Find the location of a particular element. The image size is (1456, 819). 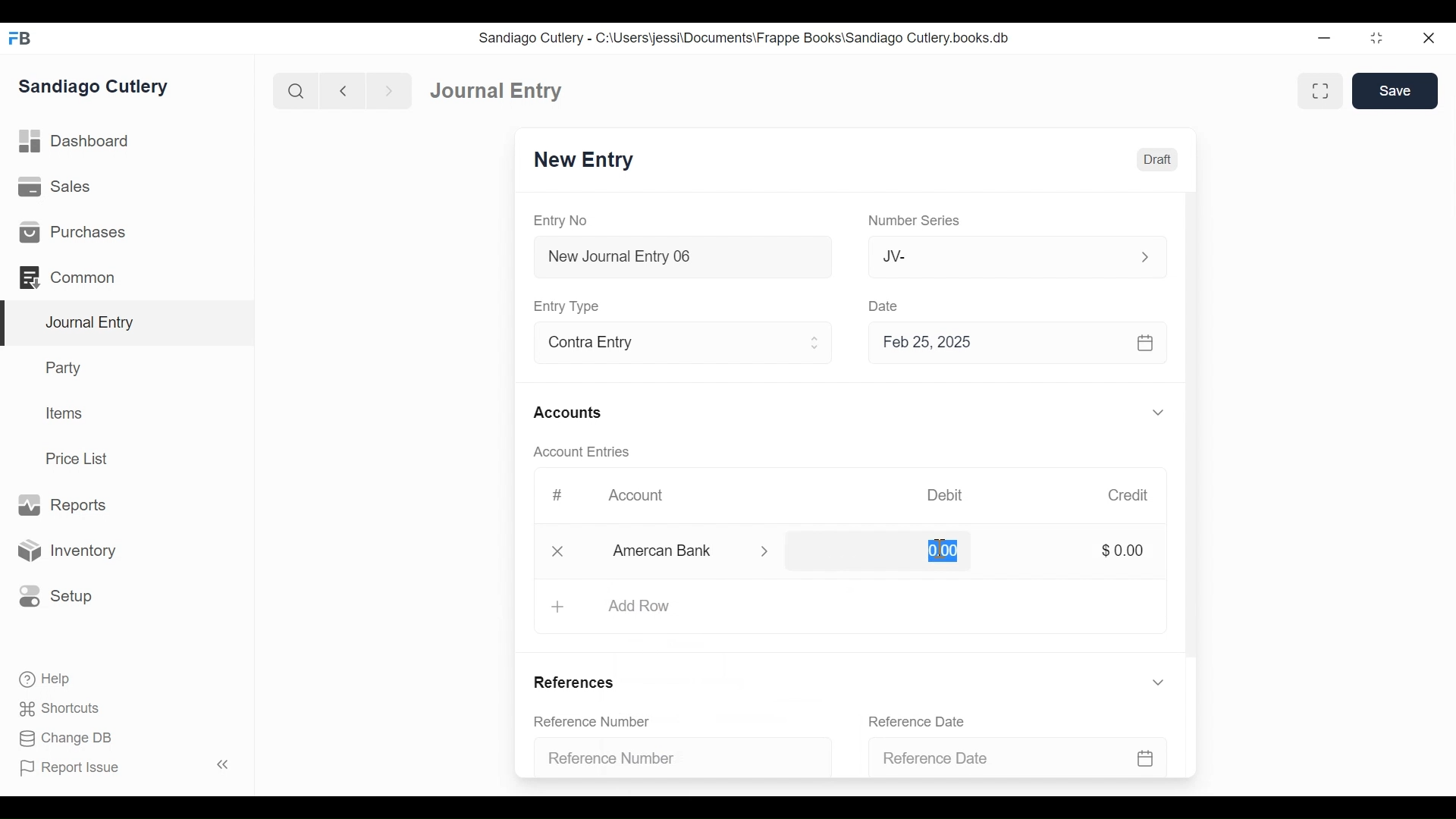

Expand is located at coordinates (767, 551).